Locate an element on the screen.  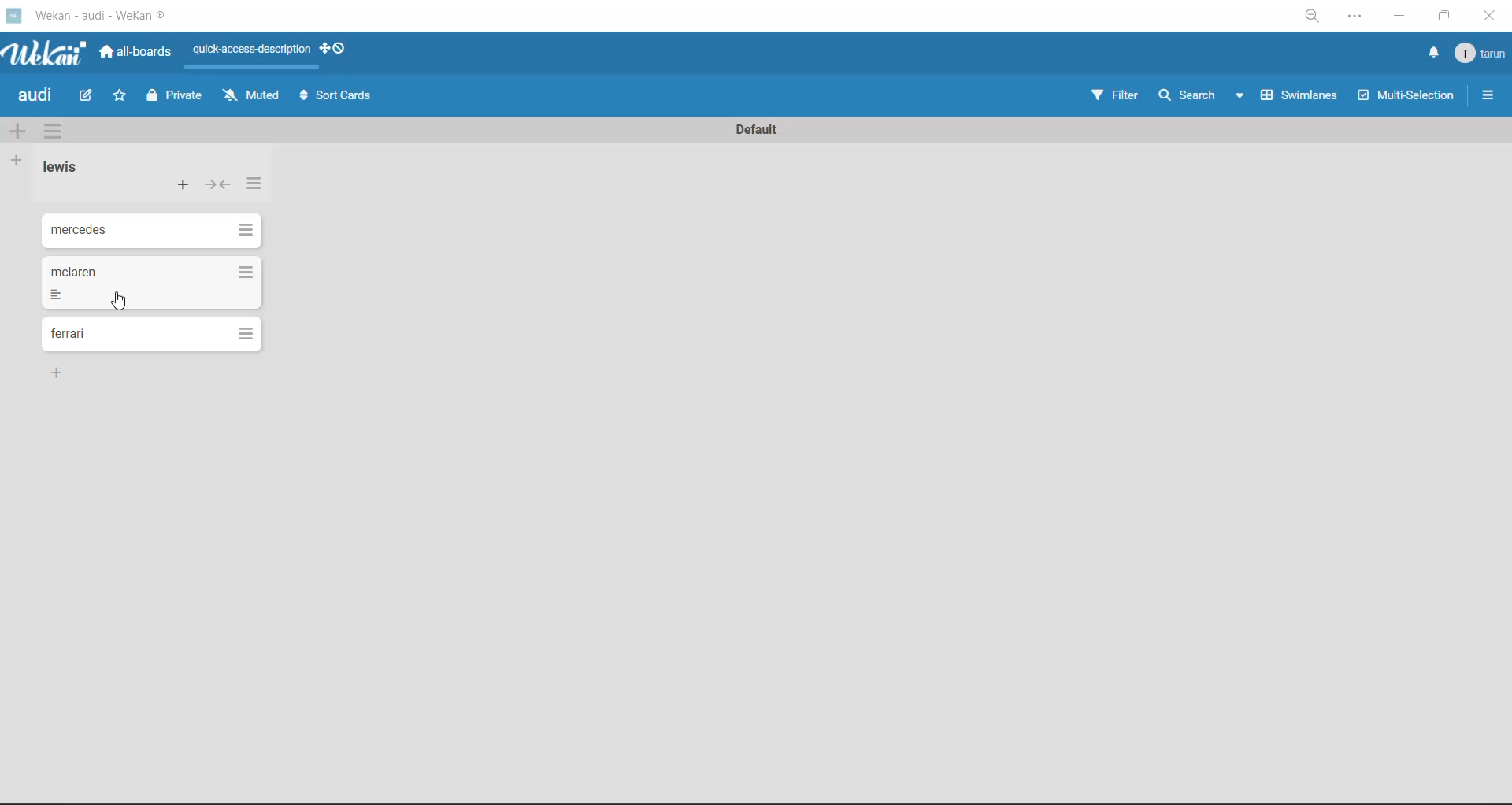
add swimlane is located at coordinates (21, 132).